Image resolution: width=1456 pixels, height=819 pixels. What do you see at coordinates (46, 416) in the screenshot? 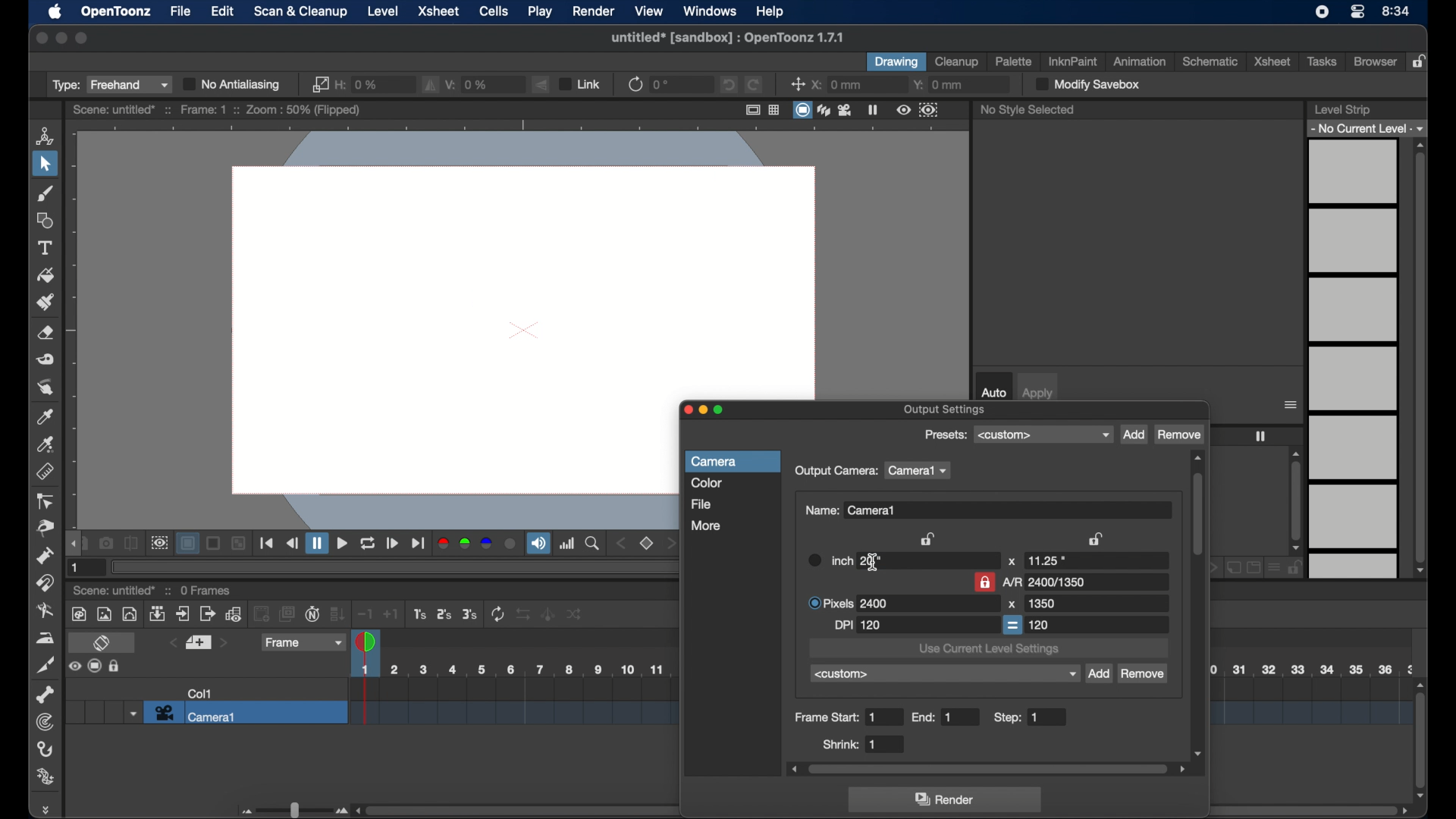
I see `color picker tool` at bounding box center [46, 416].